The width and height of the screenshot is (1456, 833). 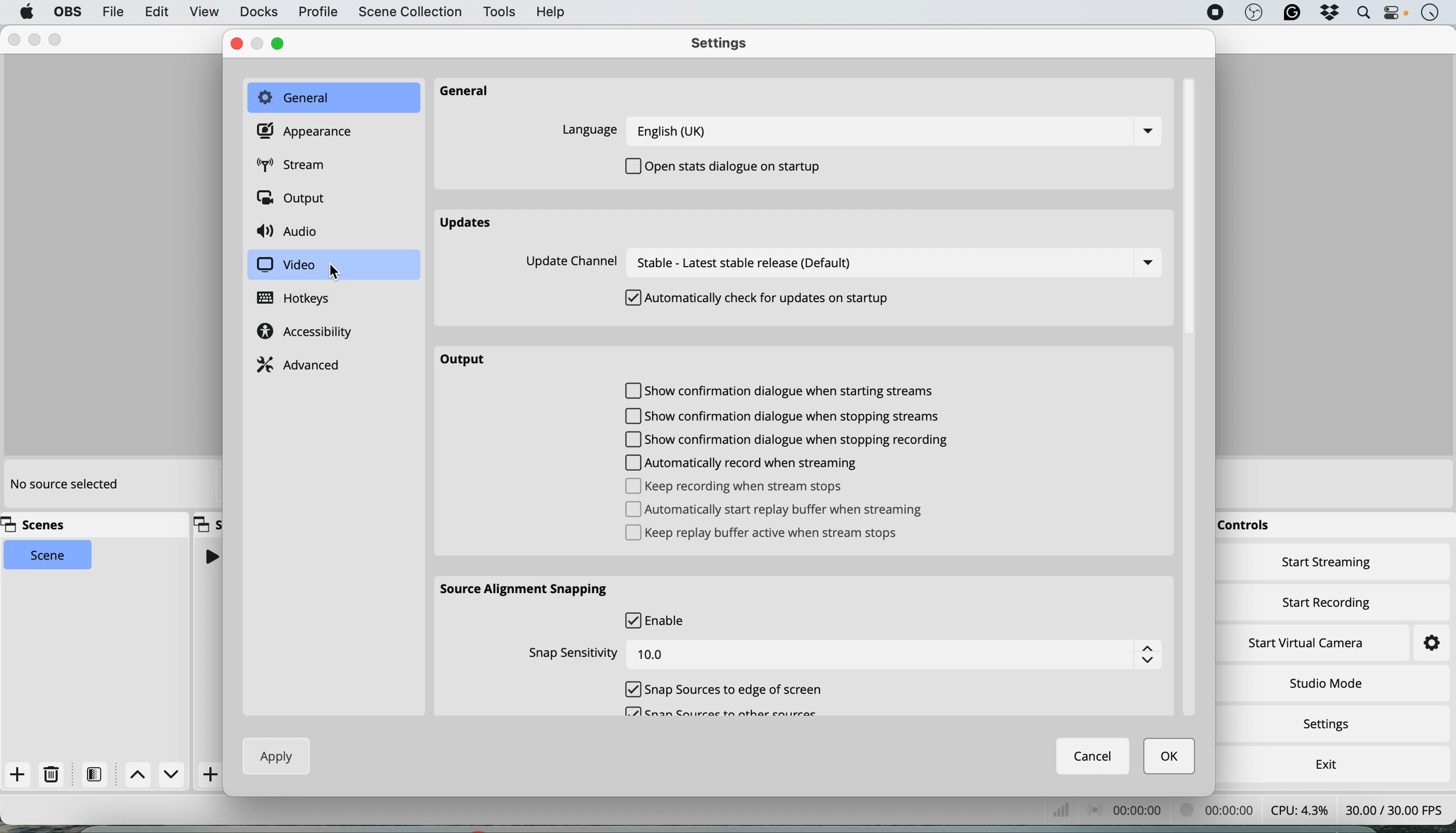 What do you see at coordinates (210, 556) in the screenshot?
I see `Play ` at bounding box center [210, 556].